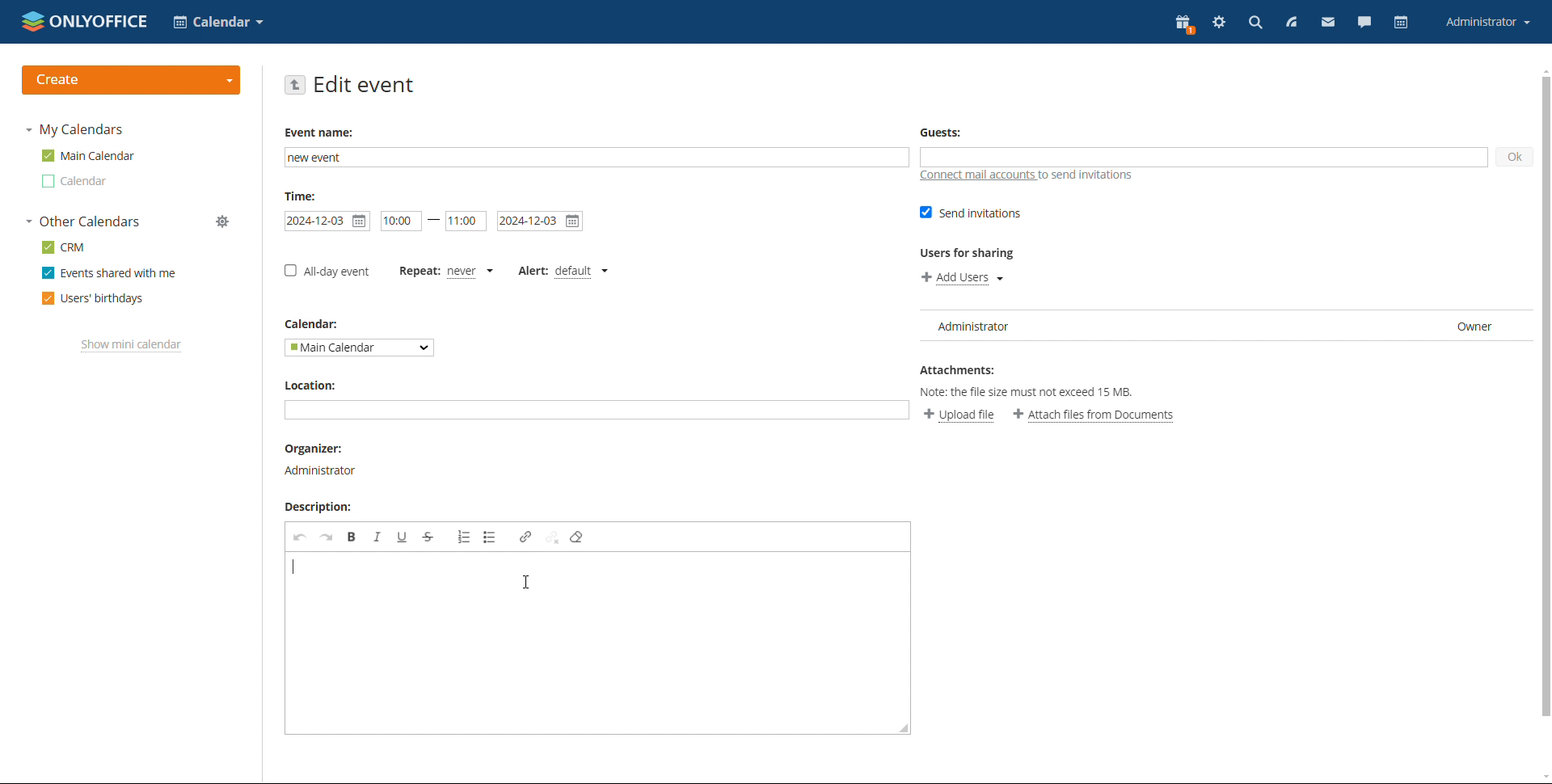 The width and height of the screenshot is (1552, 784). What do you see at coordinates (1221, 326) in the screenshot?
I see `user list` at bounding box center [1221, 326].